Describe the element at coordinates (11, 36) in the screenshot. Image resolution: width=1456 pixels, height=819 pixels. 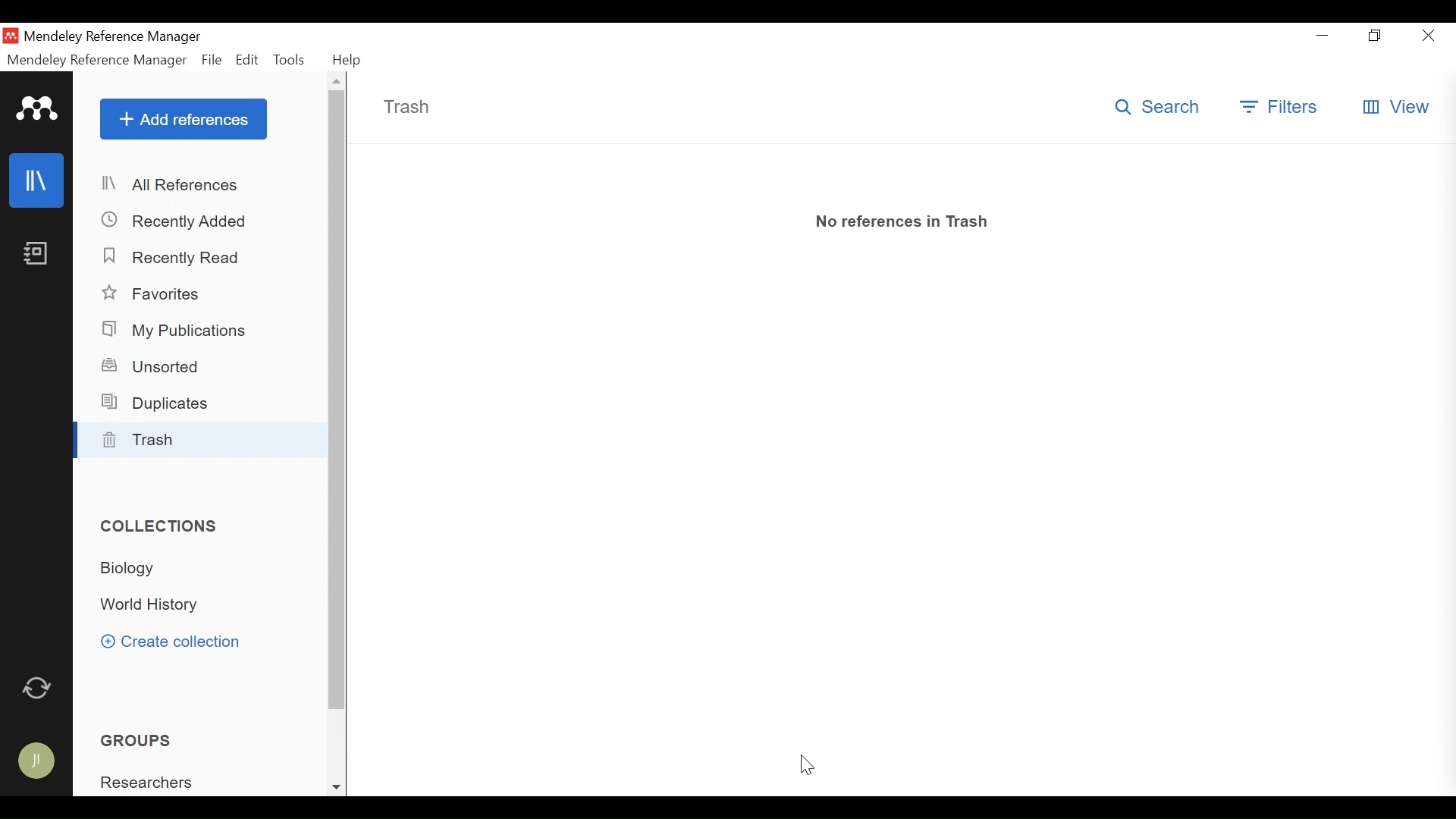
I see `Mendeley Desktop Icon` at that location.